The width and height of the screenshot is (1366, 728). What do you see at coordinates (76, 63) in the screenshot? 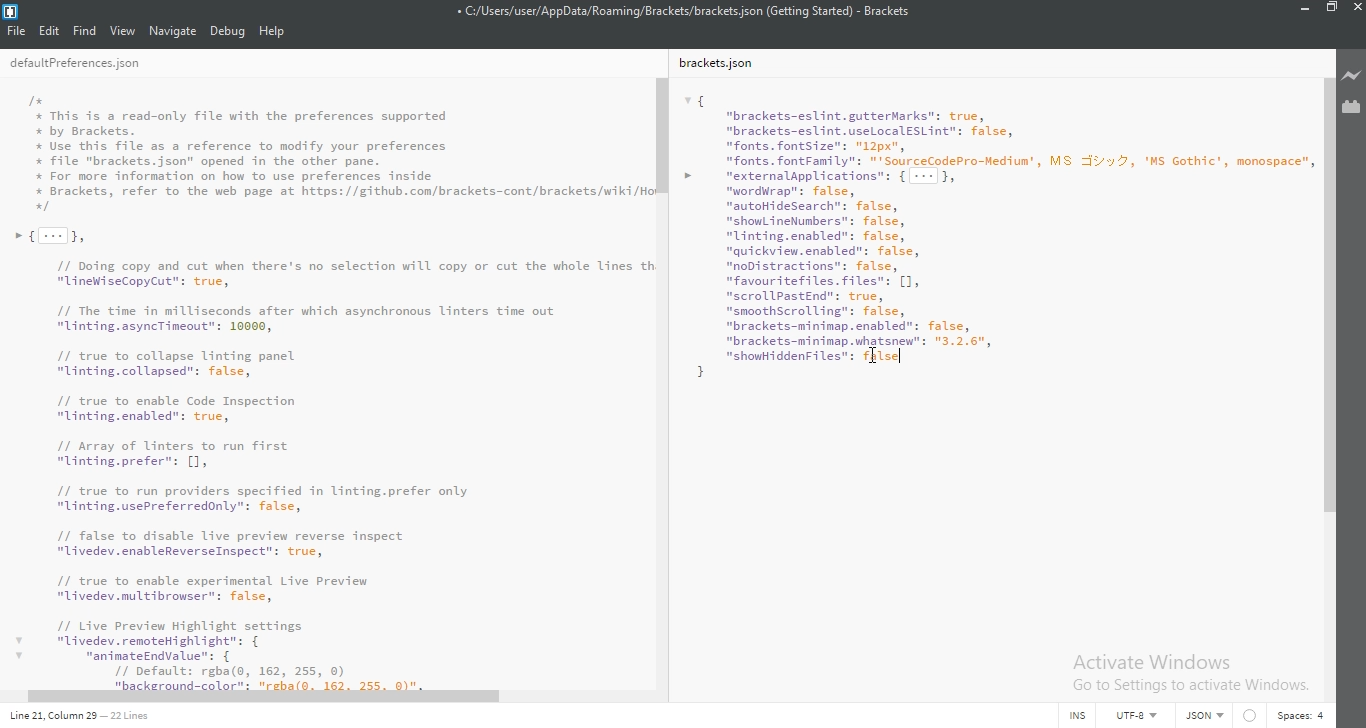
I see `deafultPreferences.json` at bounding box center [76, 63].